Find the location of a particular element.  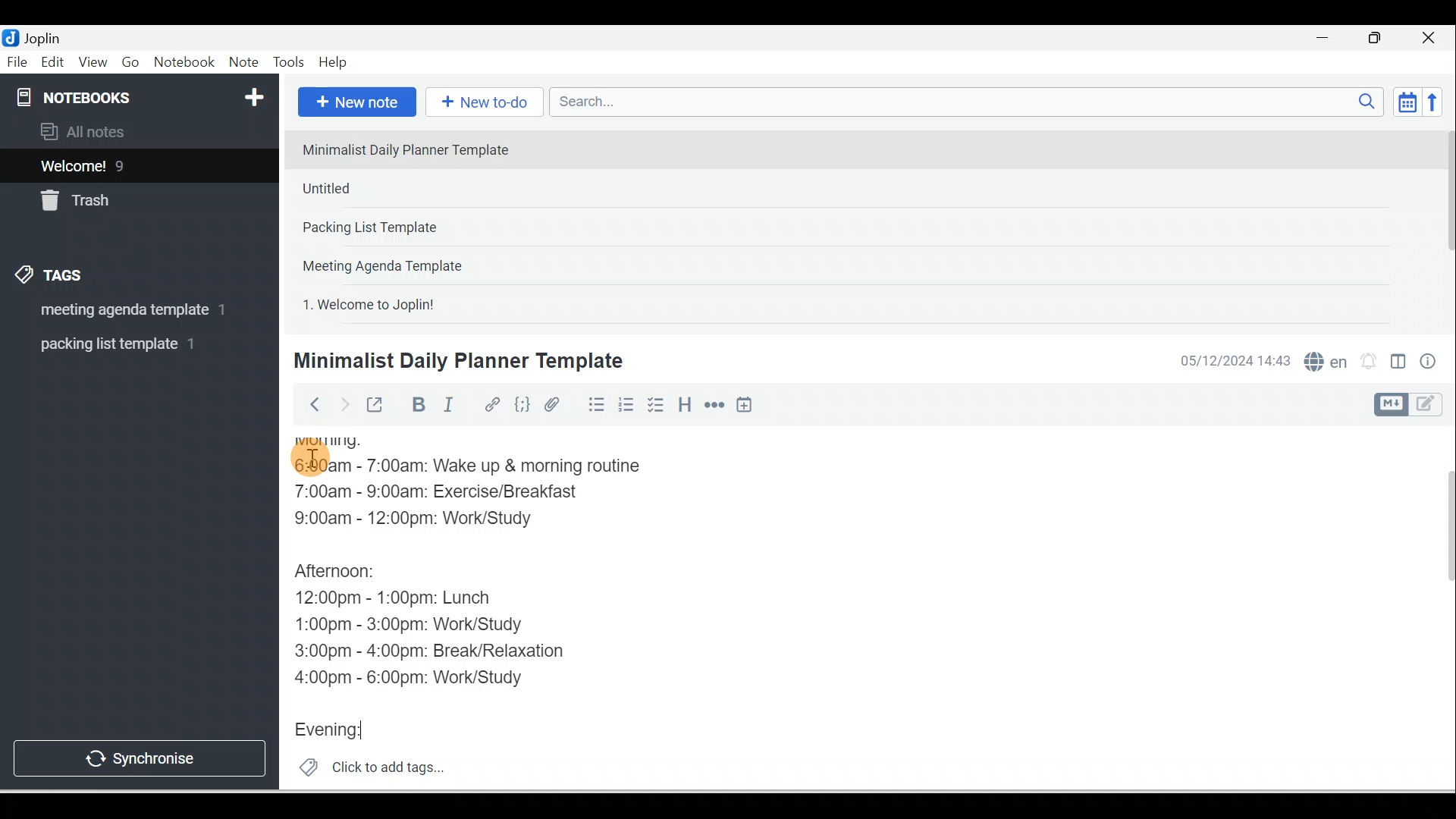

Synchronise is located at coordinates (138, 755).